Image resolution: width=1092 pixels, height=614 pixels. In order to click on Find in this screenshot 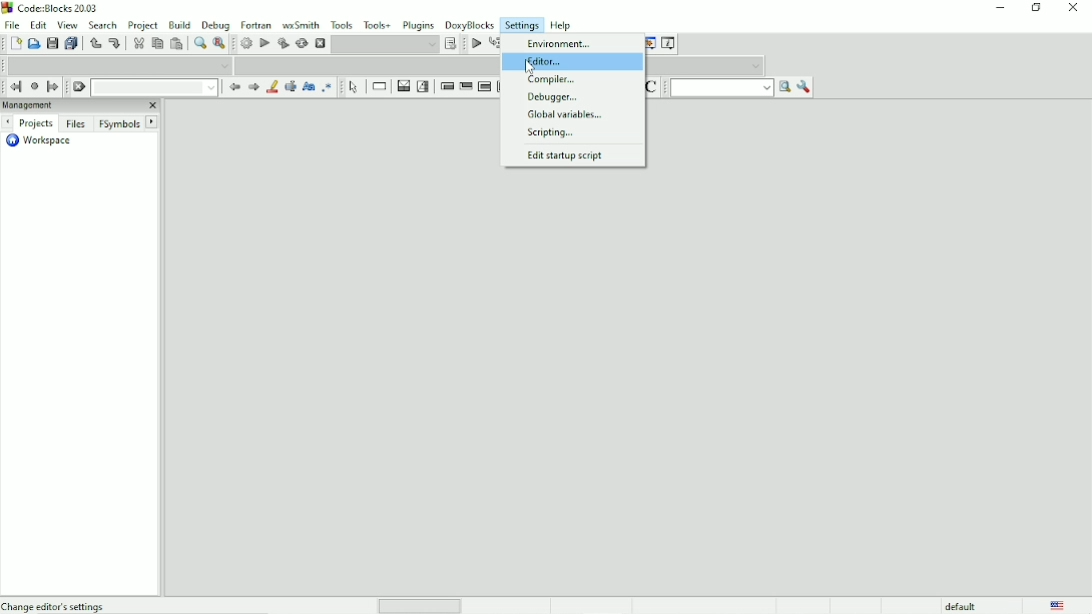, I will do `click(199, 43)`.